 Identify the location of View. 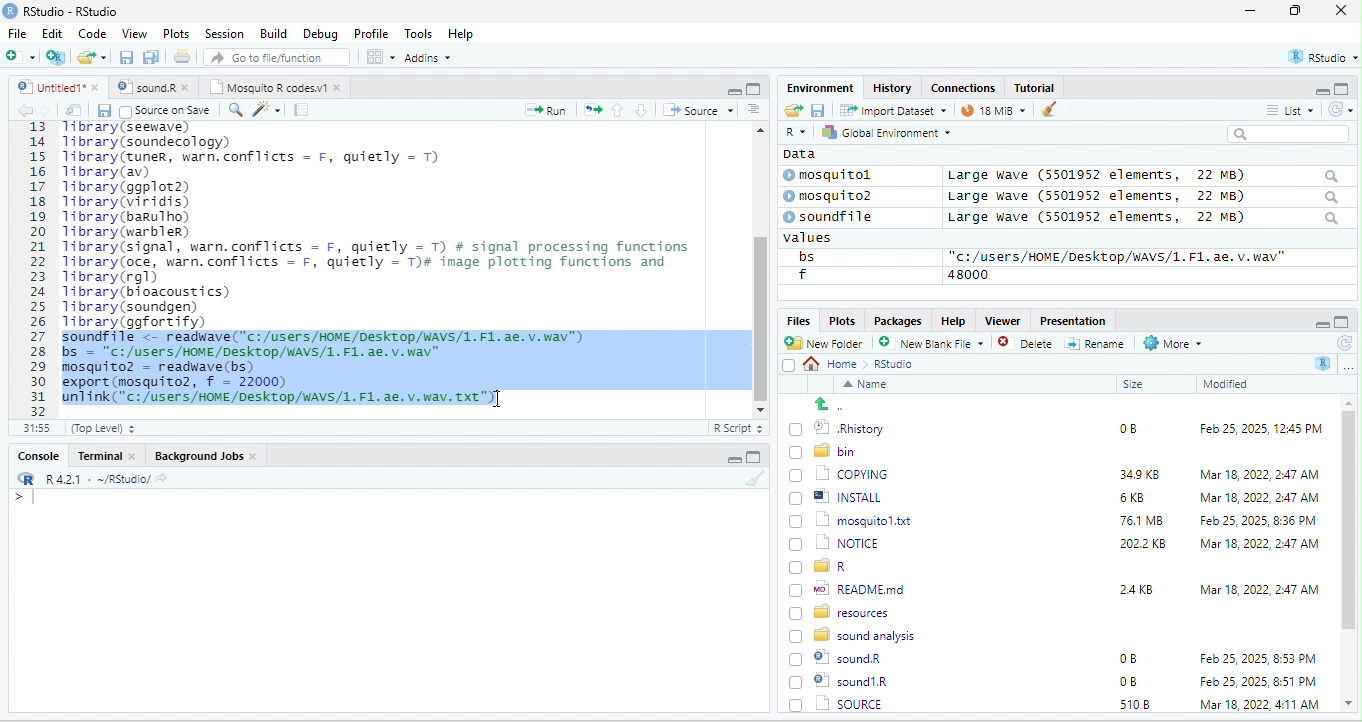
(133, 35).